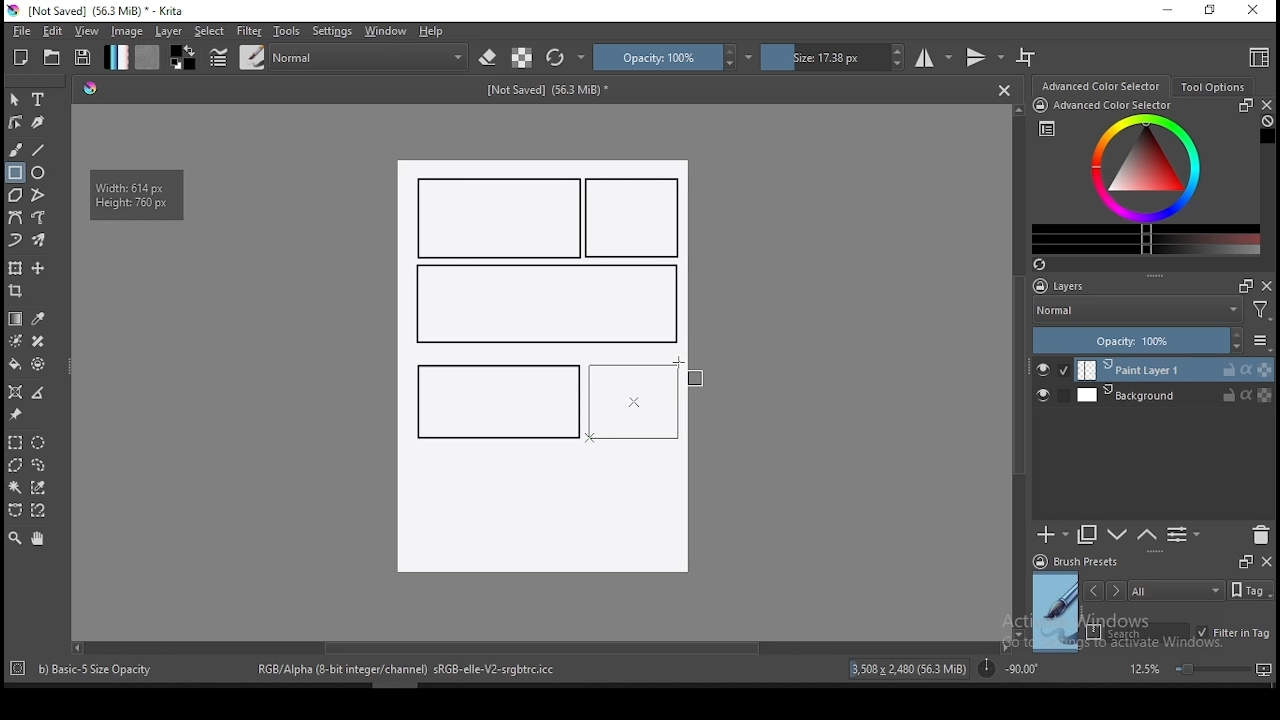 Image resolution: width=1280 pixels, height=720 pixels. What do you see at coordinates (1118, 537) in the screenshot?
I see `move layer one step up` at bounding box center [1118, 537].